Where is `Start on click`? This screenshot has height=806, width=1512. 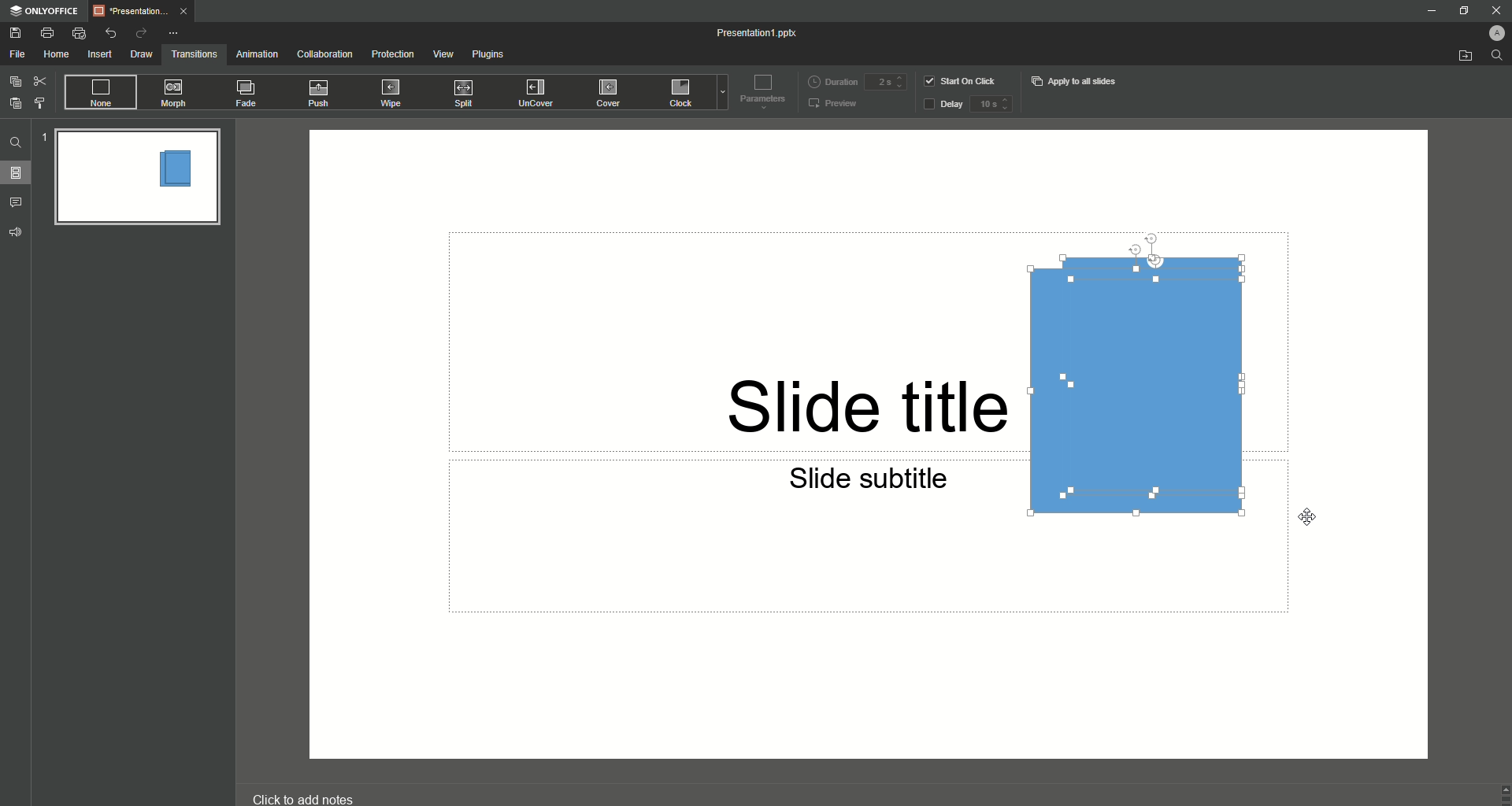
Start on click is located at coordinates (962, 80).